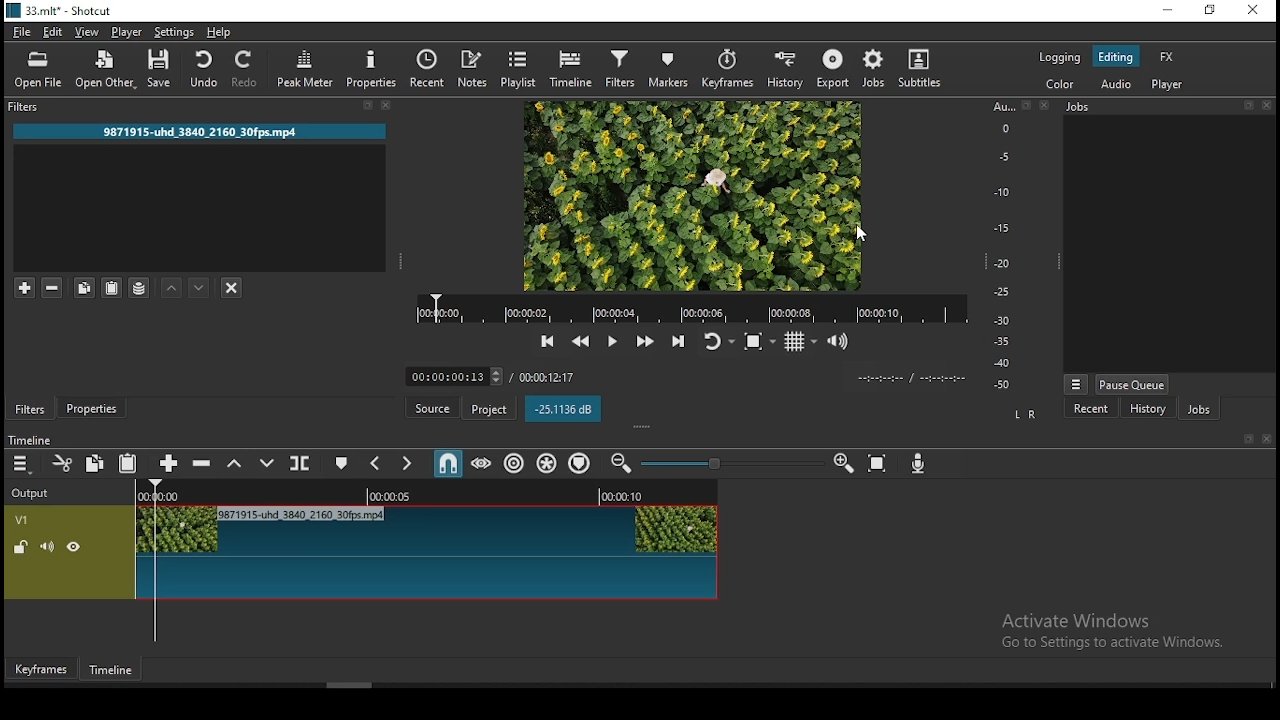  Describe the element at coordinates (688, 195) in the screenshot. I see `preview` at that location.